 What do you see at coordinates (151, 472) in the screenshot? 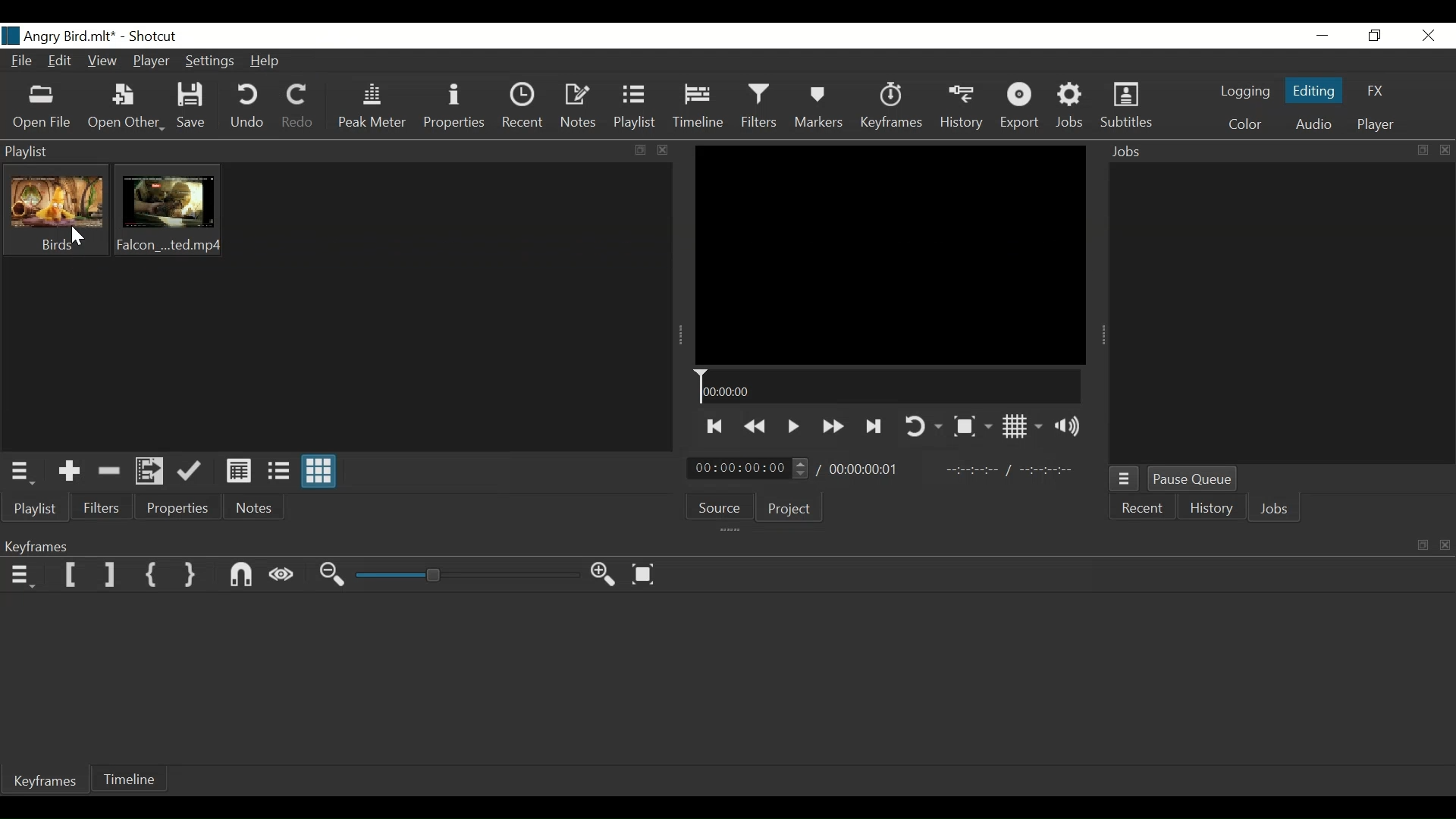
I see `Add files to the playlist` at bounding box center [151, 472].